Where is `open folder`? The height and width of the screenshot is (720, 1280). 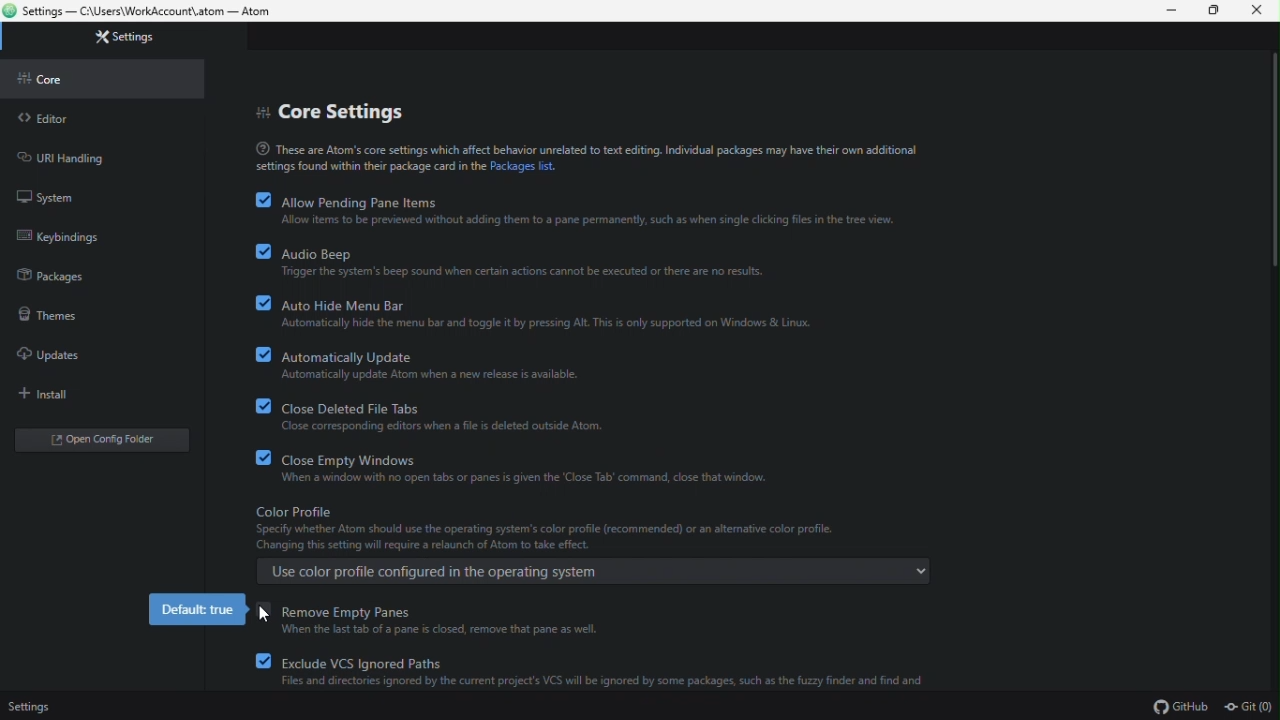 open folder is located at coordinates (98, 441).